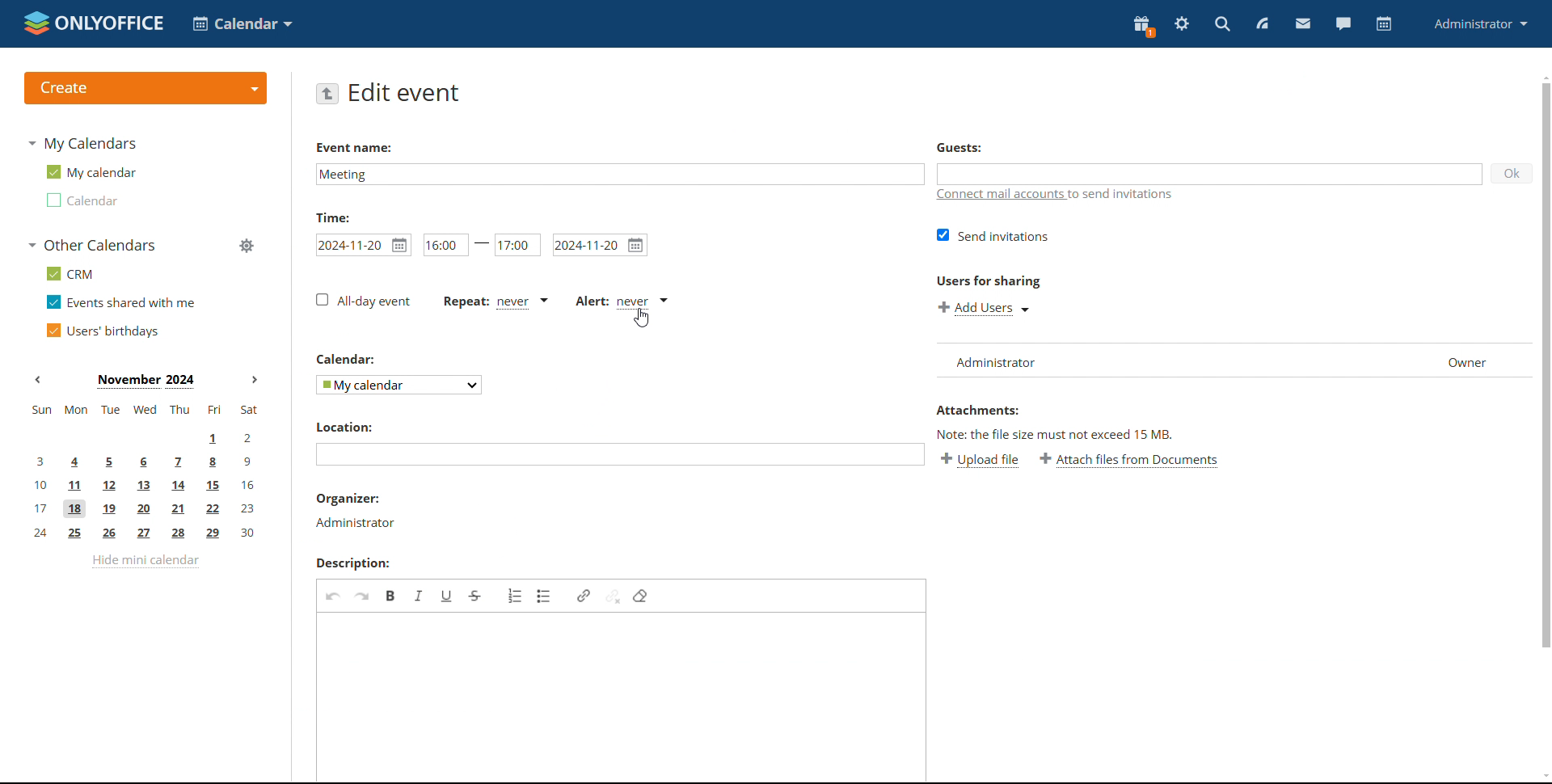 This screenshot has height=784, width=1552. I want to click on Location, so click(344, 426).